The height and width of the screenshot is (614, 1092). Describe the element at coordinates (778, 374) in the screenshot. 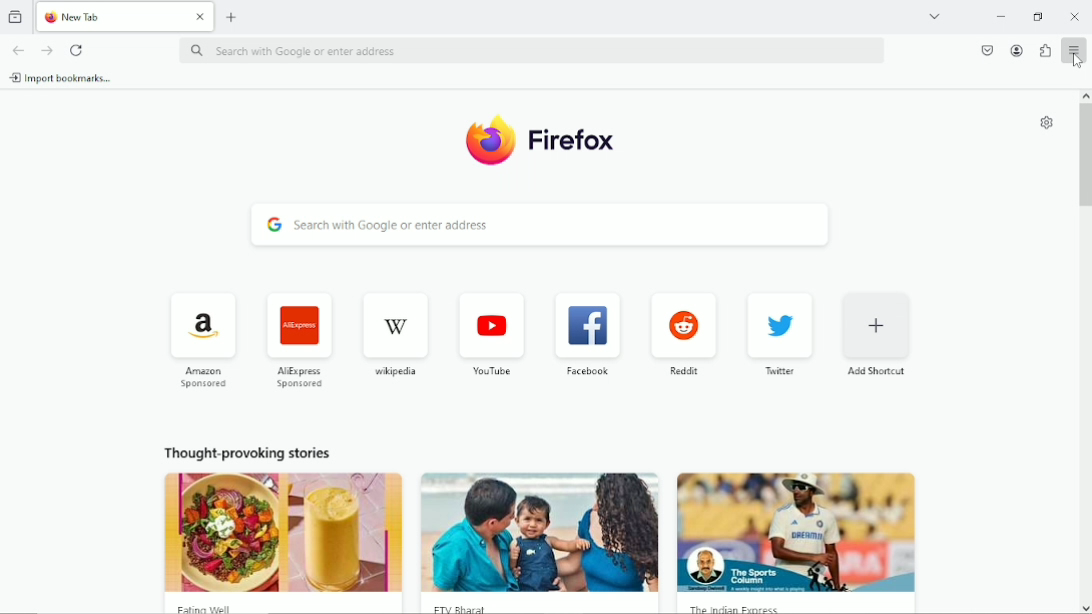

I see `twitter` at that location.